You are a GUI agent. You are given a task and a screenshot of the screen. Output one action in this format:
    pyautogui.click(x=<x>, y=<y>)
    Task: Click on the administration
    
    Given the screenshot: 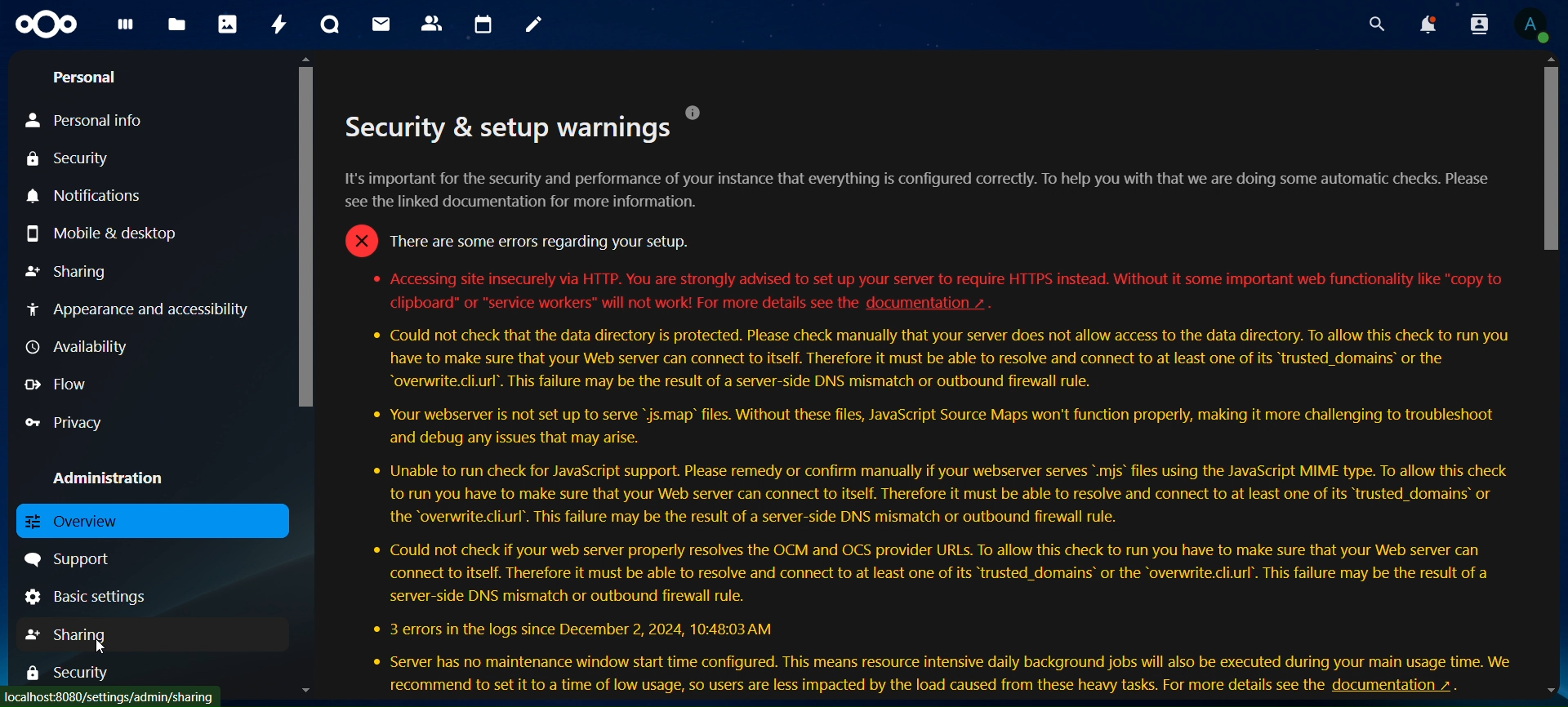 What is the action you would take?
    pyautogui.click(x=106, y=478)
    